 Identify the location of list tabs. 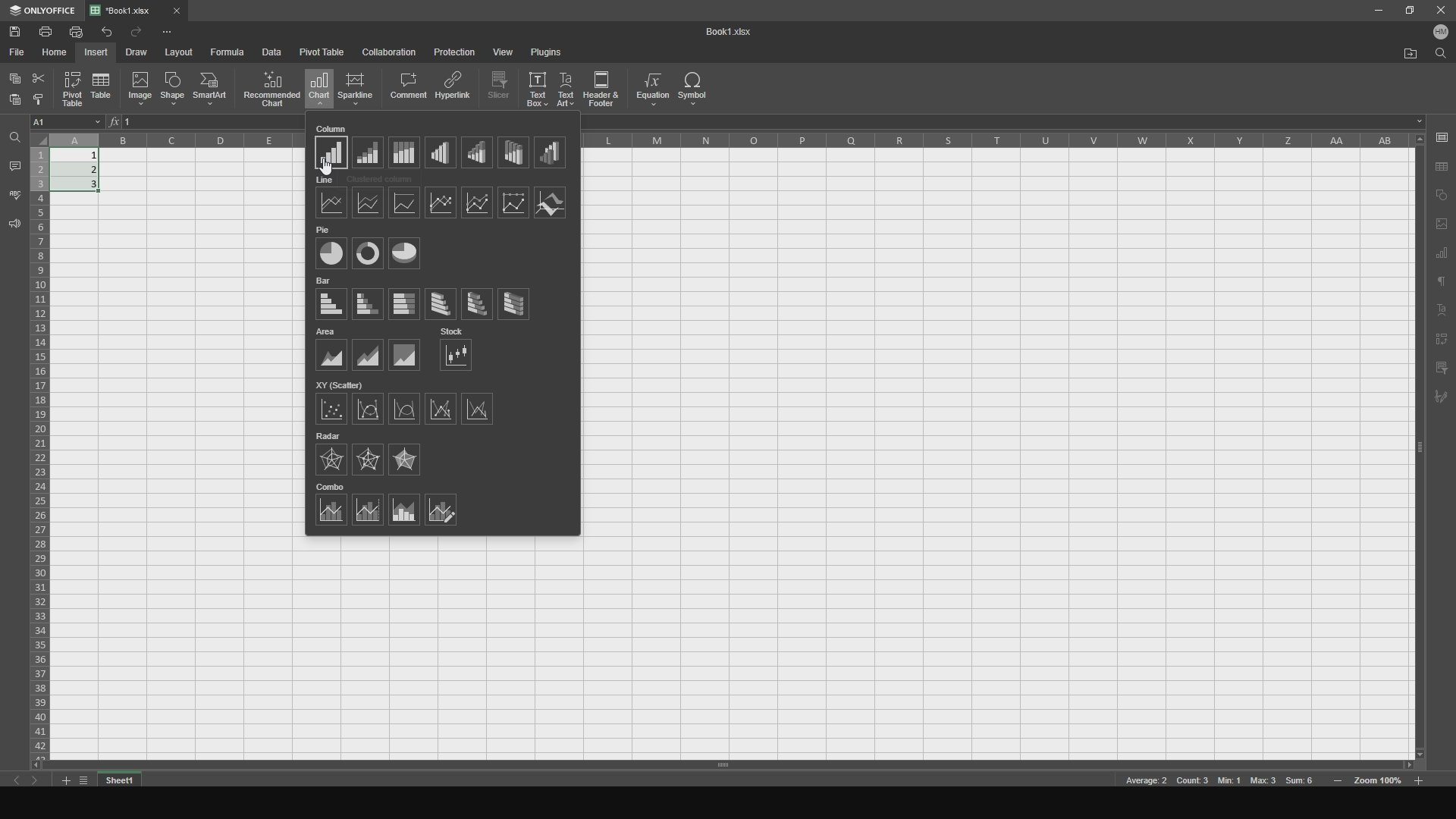
(86, 780).